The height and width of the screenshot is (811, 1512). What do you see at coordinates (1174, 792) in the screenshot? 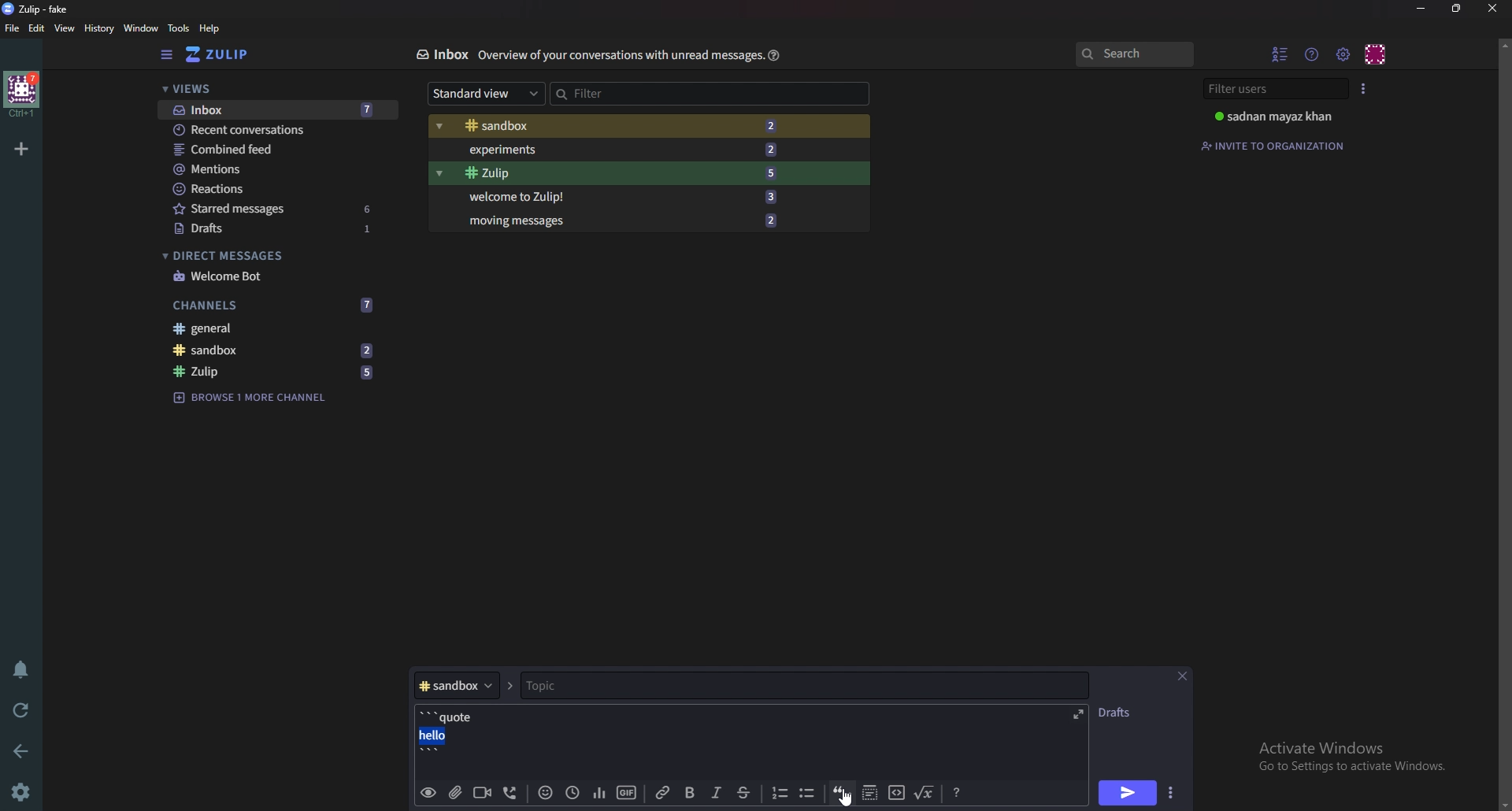
I see `send options` at bounding box center [1174, 792].